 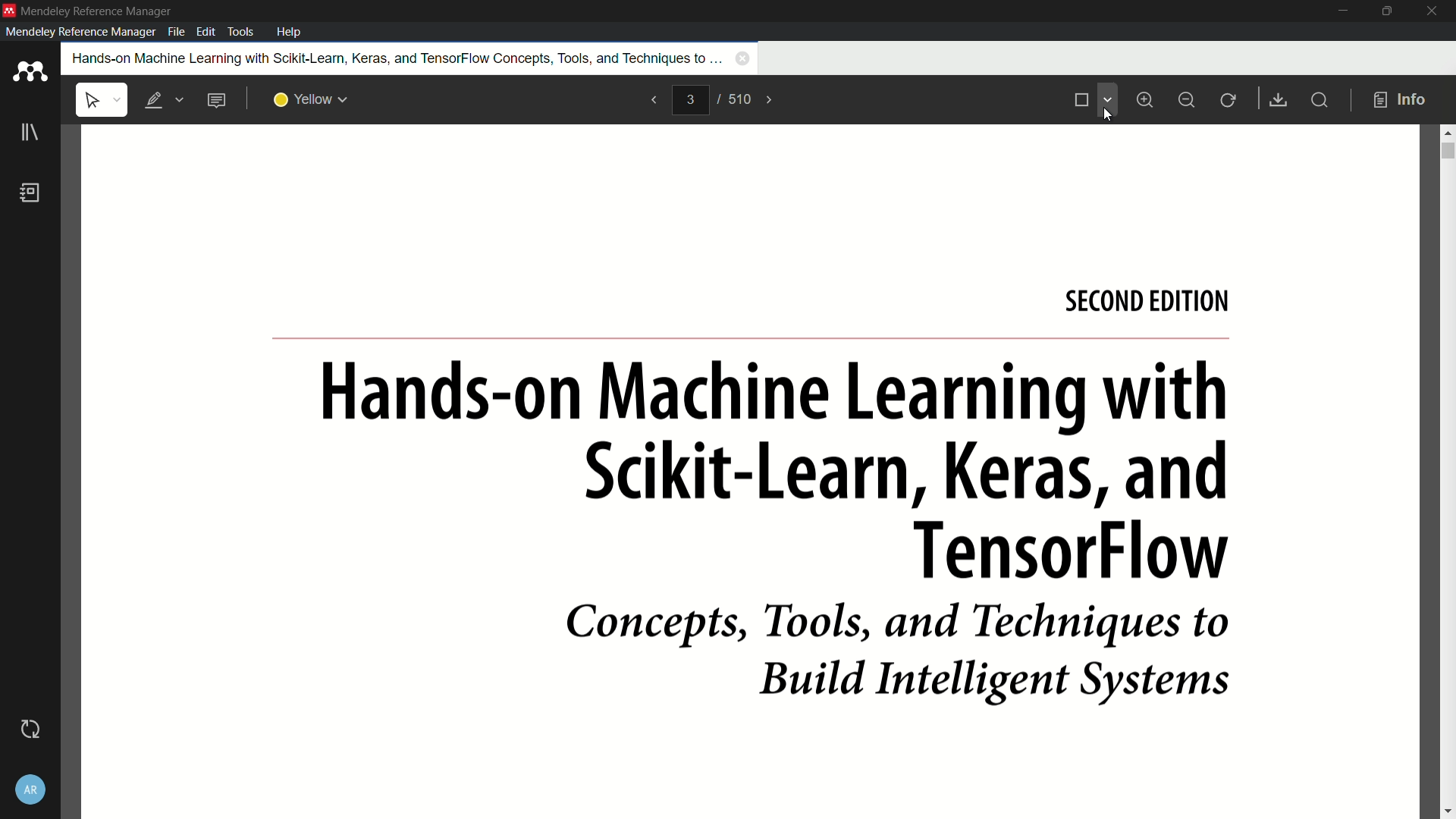 What do you see at coordinates (1108, 111) in the screenshot?
I see `cursor` at bounding box center [1108, 111].